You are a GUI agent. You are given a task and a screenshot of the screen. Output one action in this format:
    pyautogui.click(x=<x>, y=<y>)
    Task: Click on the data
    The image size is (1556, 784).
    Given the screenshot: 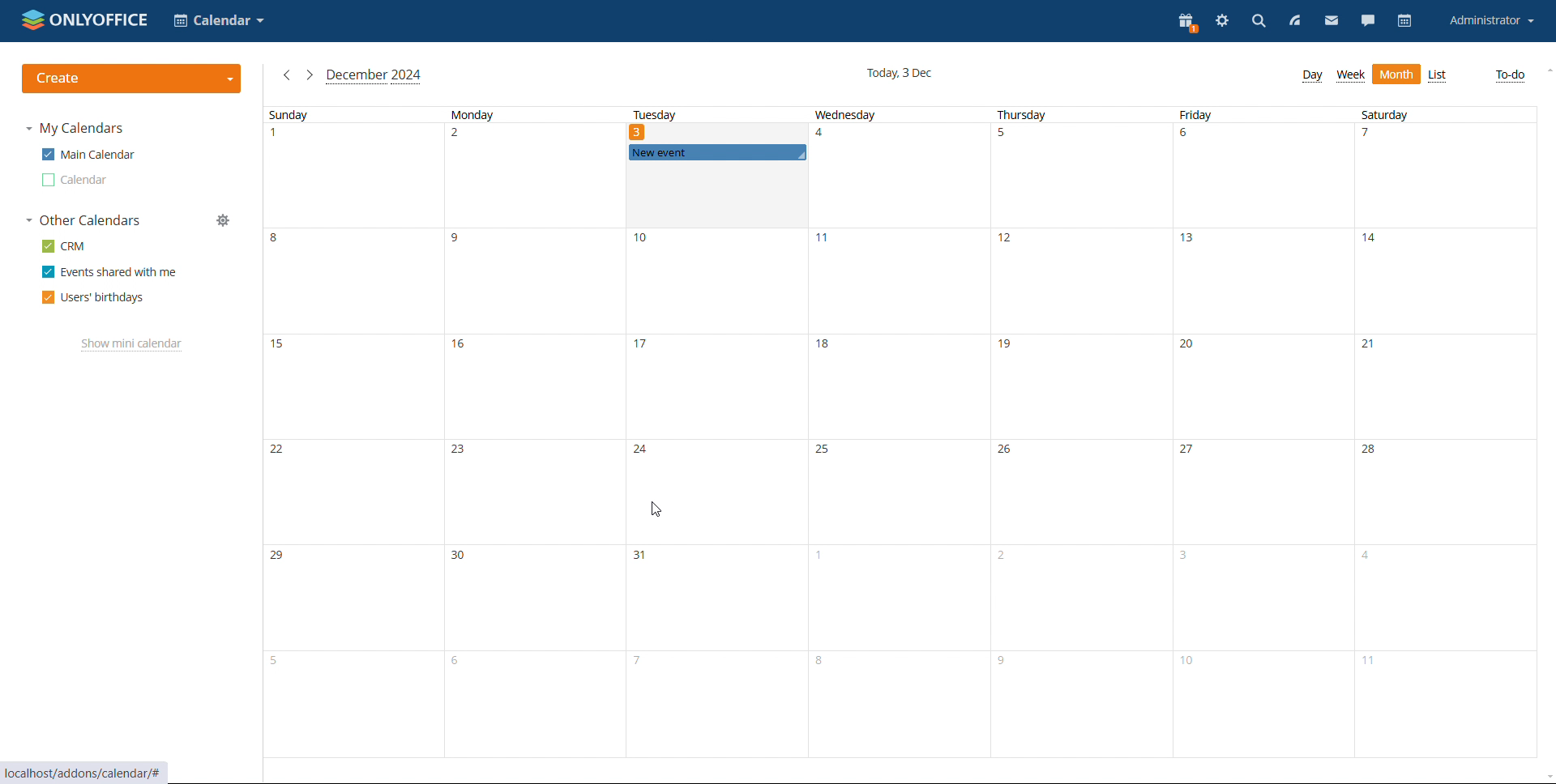 What is the action you would take?
    pyautogui.click(x=532, y=387)
    